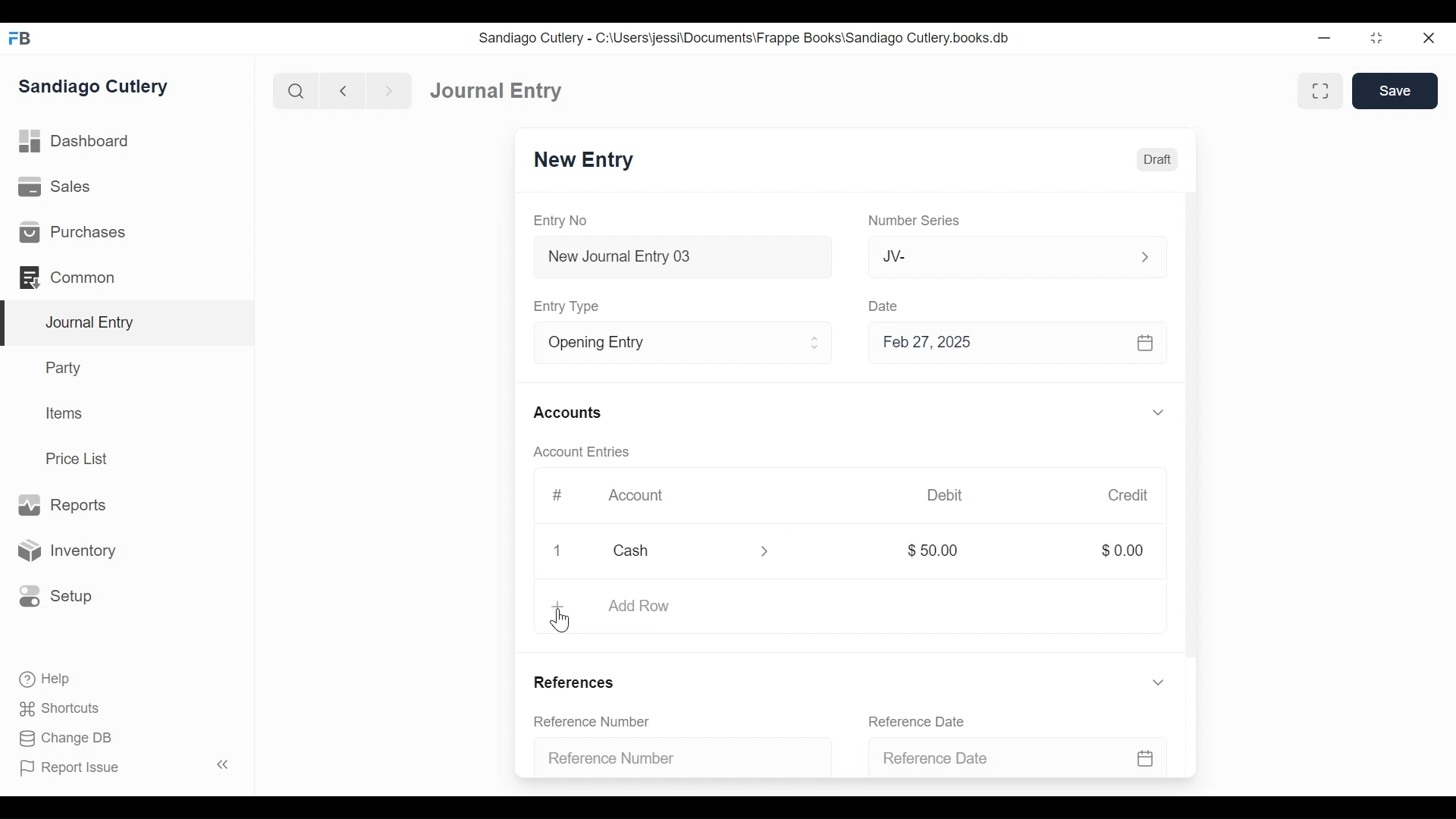 This screenshot has width=1456, height=819. I want to click on New Journal Entry 03, so click(679, 257).